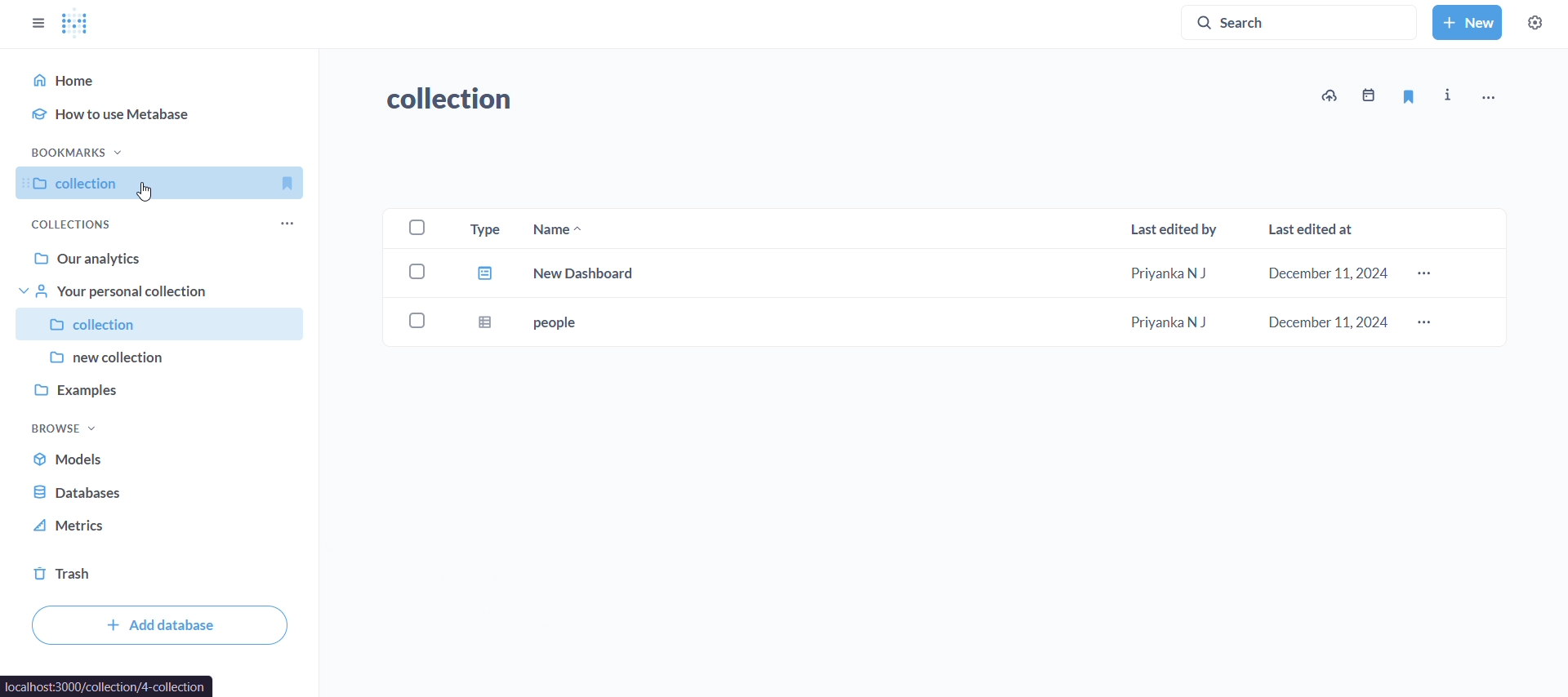 The width and height of the screenshot is (1568, 697). I want to click on how to use metabase, so click(162, 118).